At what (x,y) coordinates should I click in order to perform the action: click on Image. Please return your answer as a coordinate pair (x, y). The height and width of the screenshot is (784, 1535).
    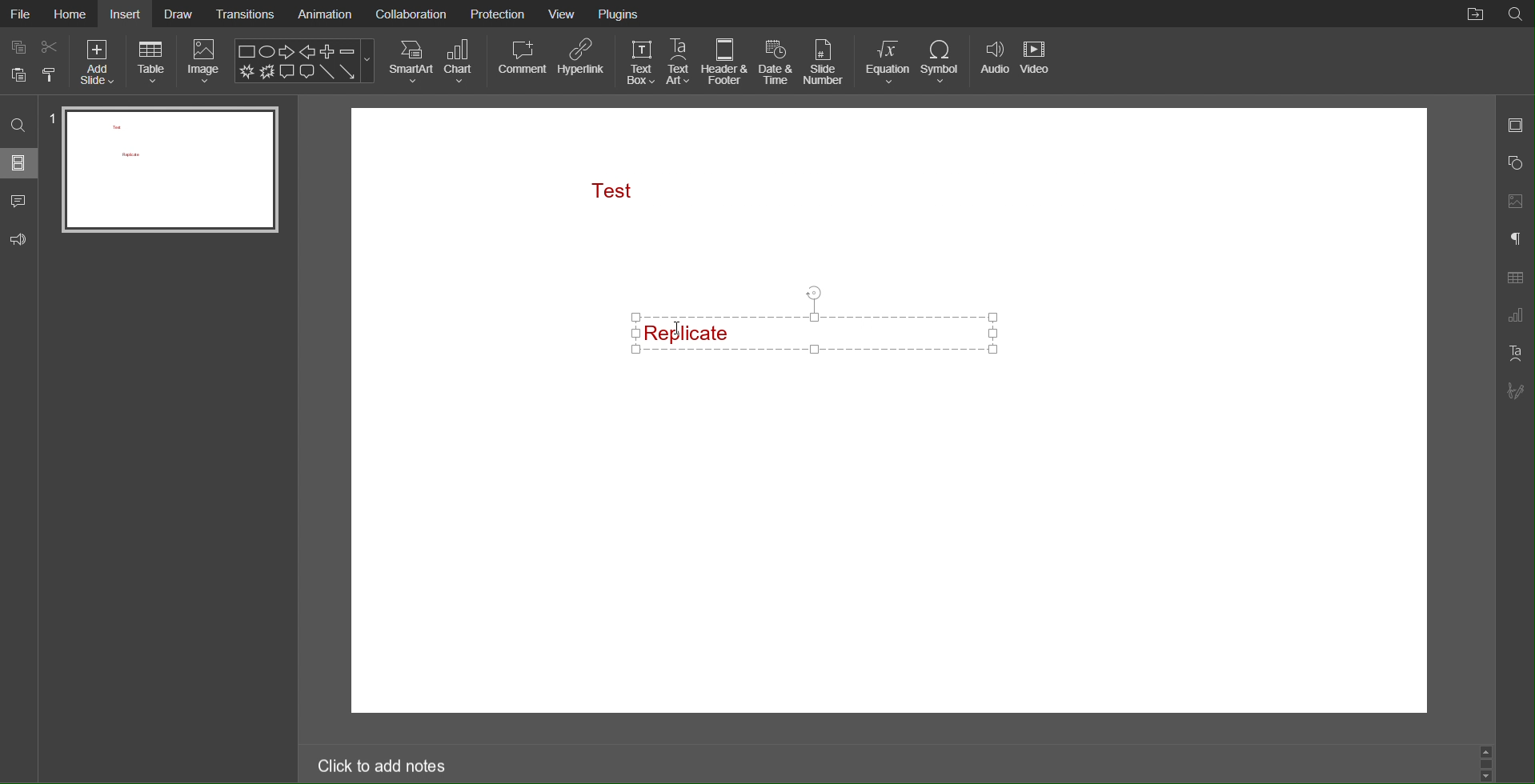
    Looking at the image, I should click on (206, 62).